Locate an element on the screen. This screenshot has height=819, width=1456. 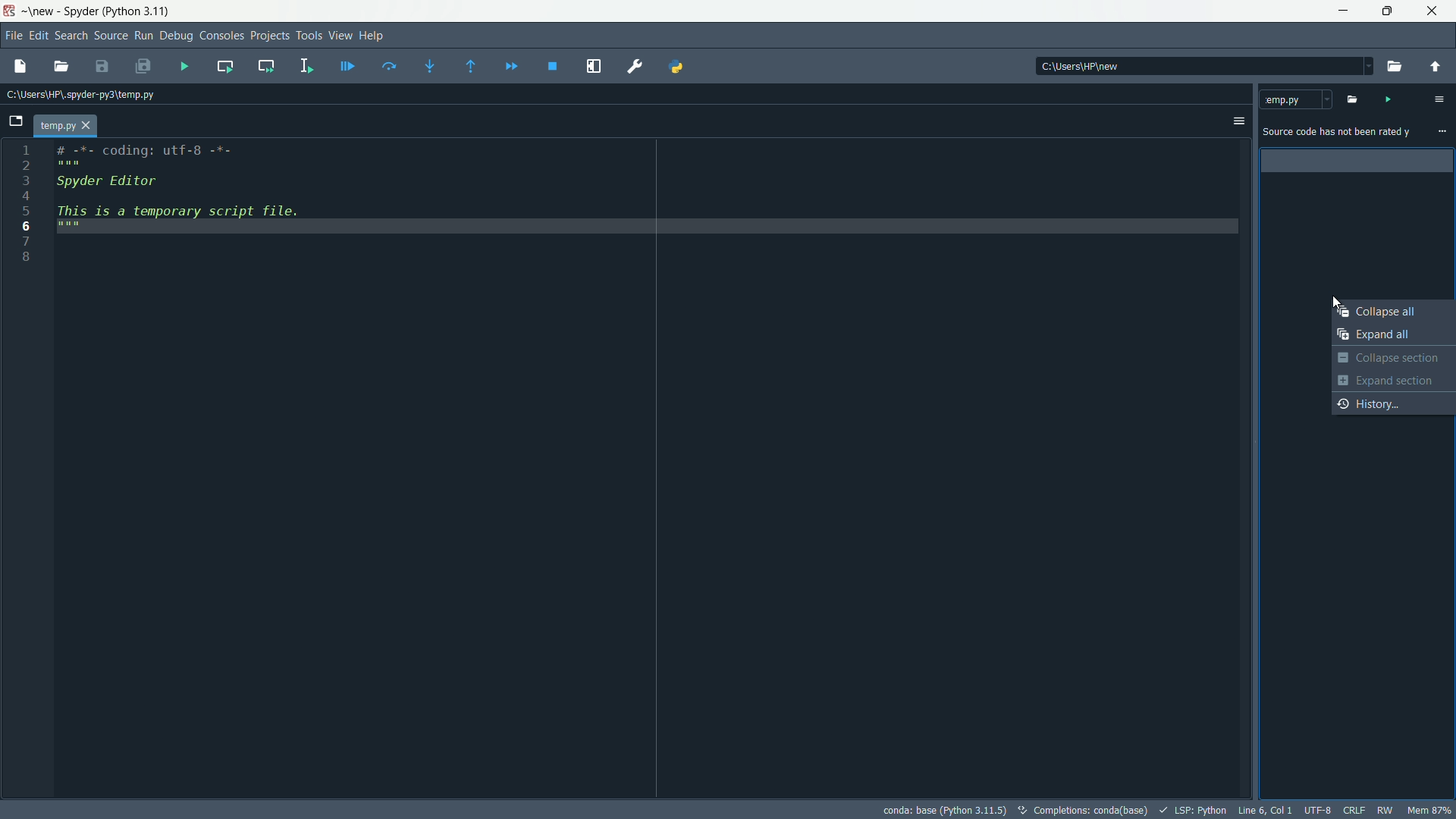
file eol status is located at coordinates (1354, 809).